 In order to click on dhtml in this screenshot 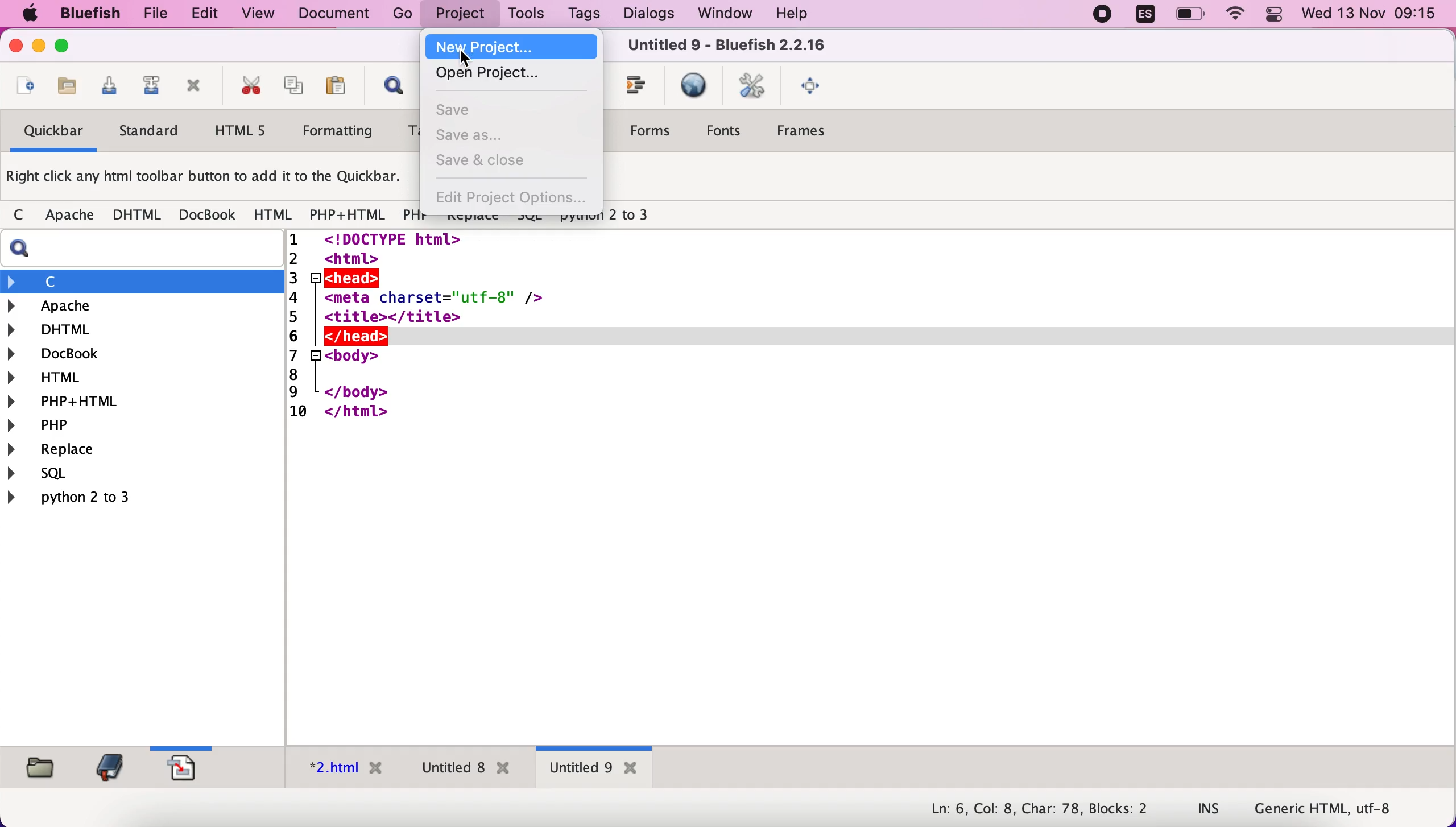, I will do `click(143, 328)`.